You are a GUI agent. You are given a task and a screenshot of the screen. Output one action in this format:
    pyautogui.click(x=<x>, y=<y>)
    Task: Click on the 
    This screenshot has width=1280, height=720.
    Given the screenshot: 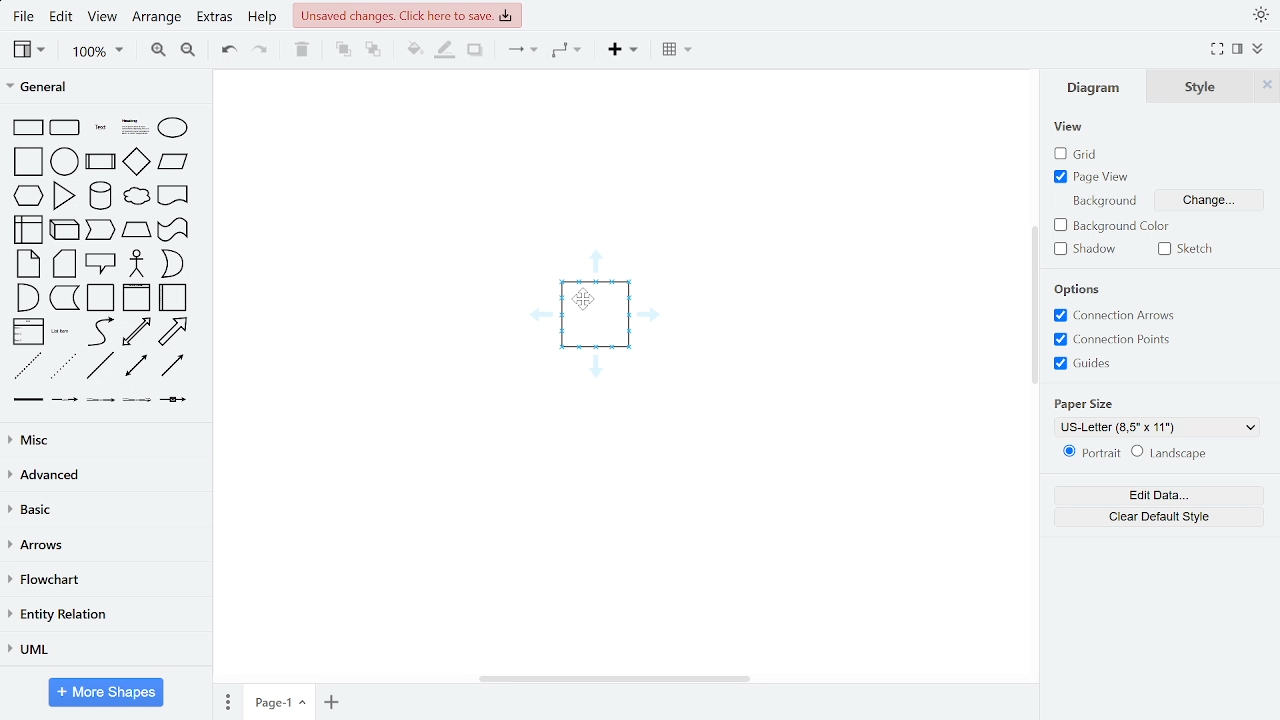 What is the action you would take?
    pyautogui.click(x=100, y=400)
    